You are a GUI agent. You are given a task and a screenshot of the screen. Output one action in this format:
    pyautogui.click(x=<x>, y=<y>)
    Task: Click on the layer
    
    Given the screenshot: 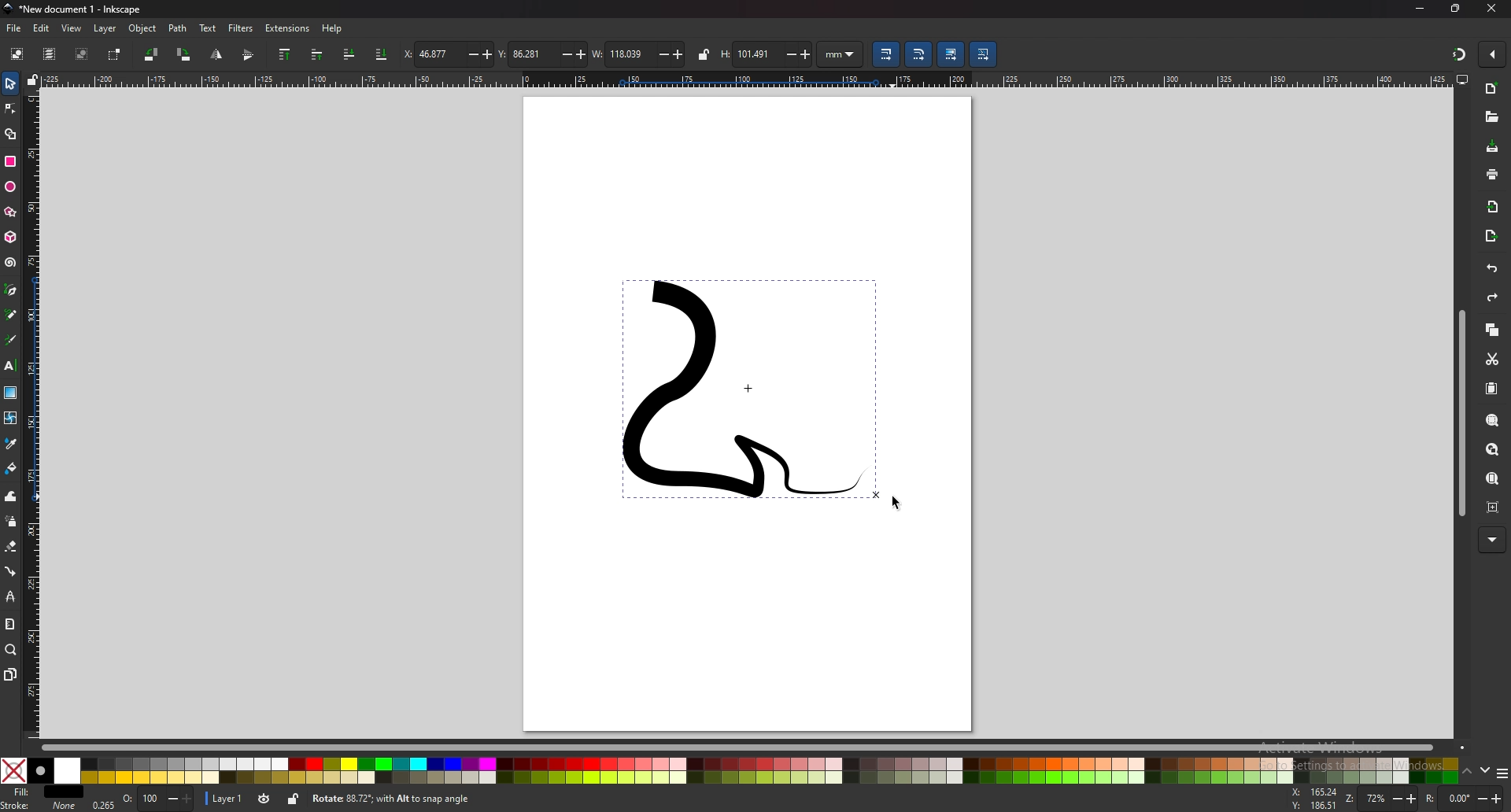 What is the action you would take?
    pyautogui.click(x=105, y=28)
    